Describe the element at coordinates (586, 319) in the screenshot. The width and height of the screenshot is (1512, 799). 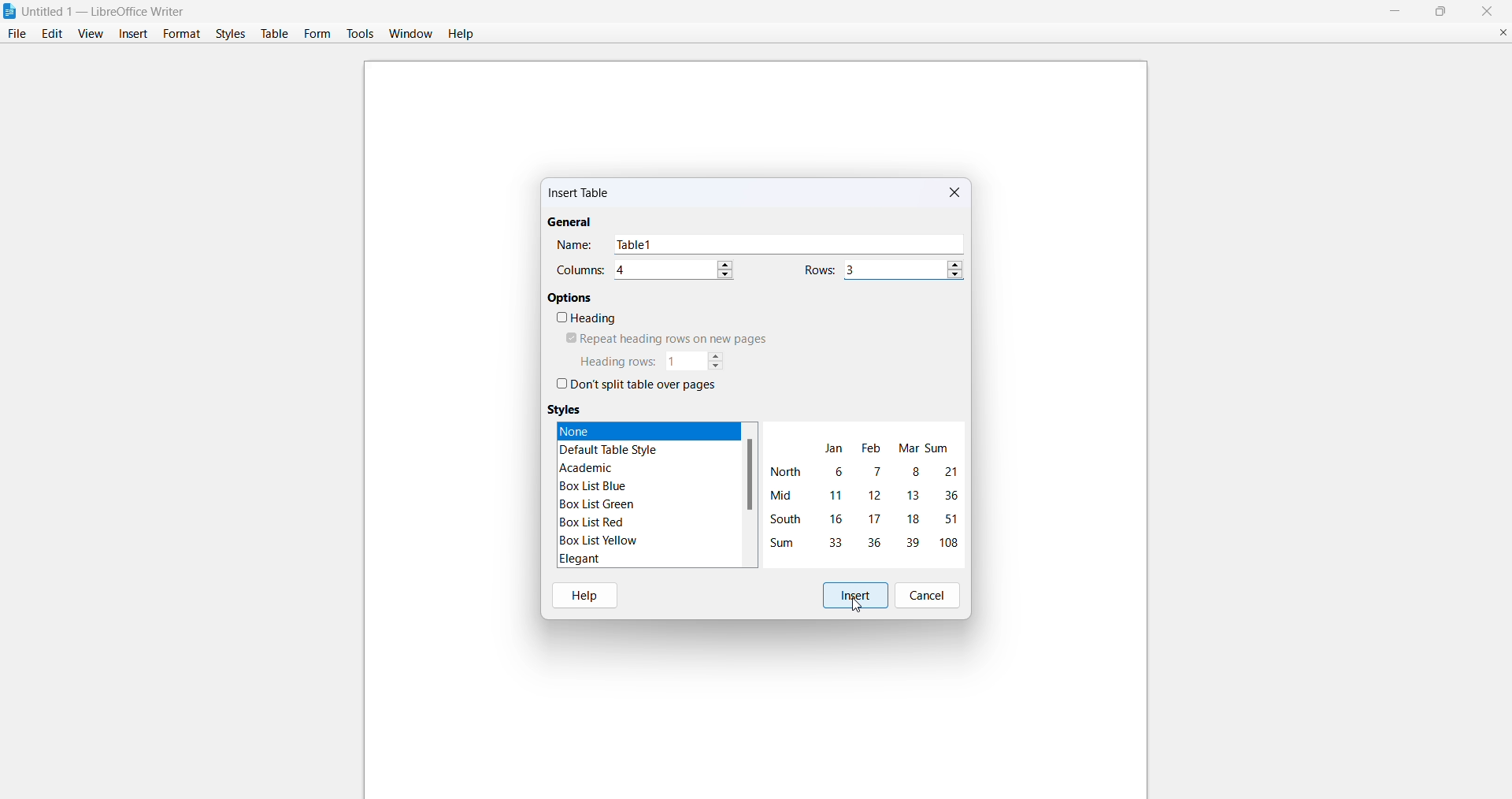
I see `heading` at that location.